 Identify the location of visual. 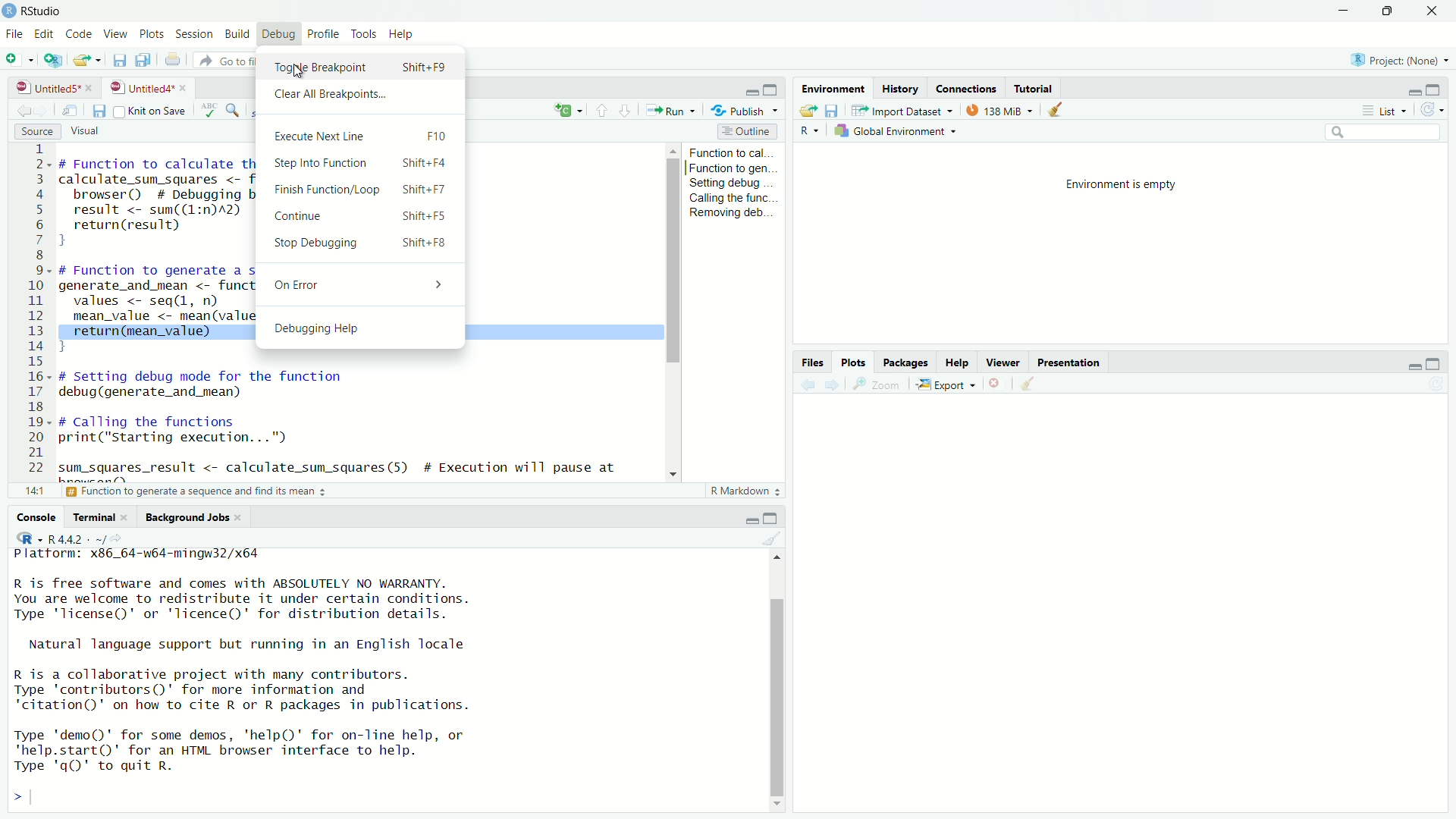
(88, 132).